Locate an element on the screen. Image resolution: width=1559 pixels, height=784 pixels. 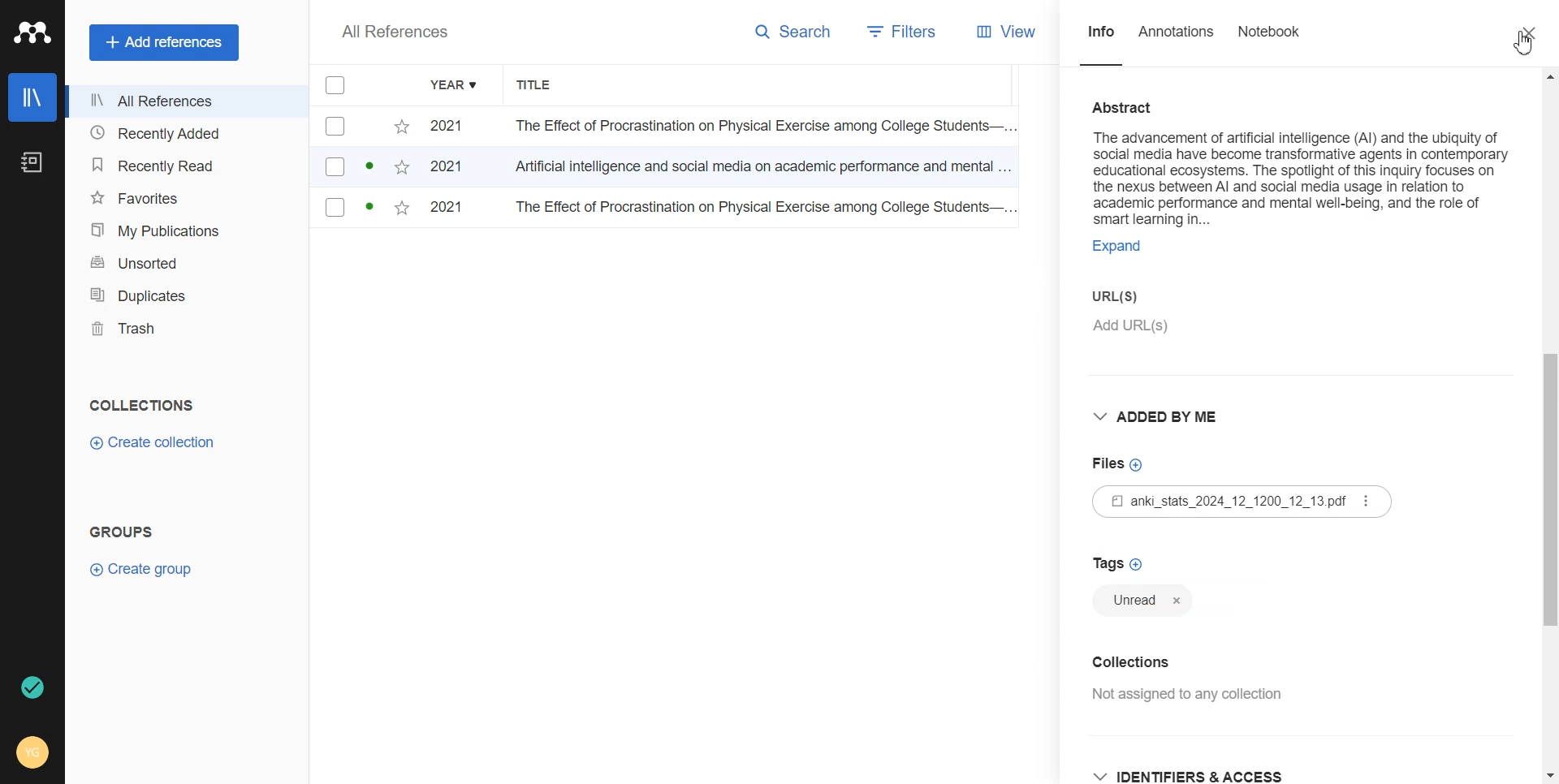
Close tag is located at coordinates (1176, 603).